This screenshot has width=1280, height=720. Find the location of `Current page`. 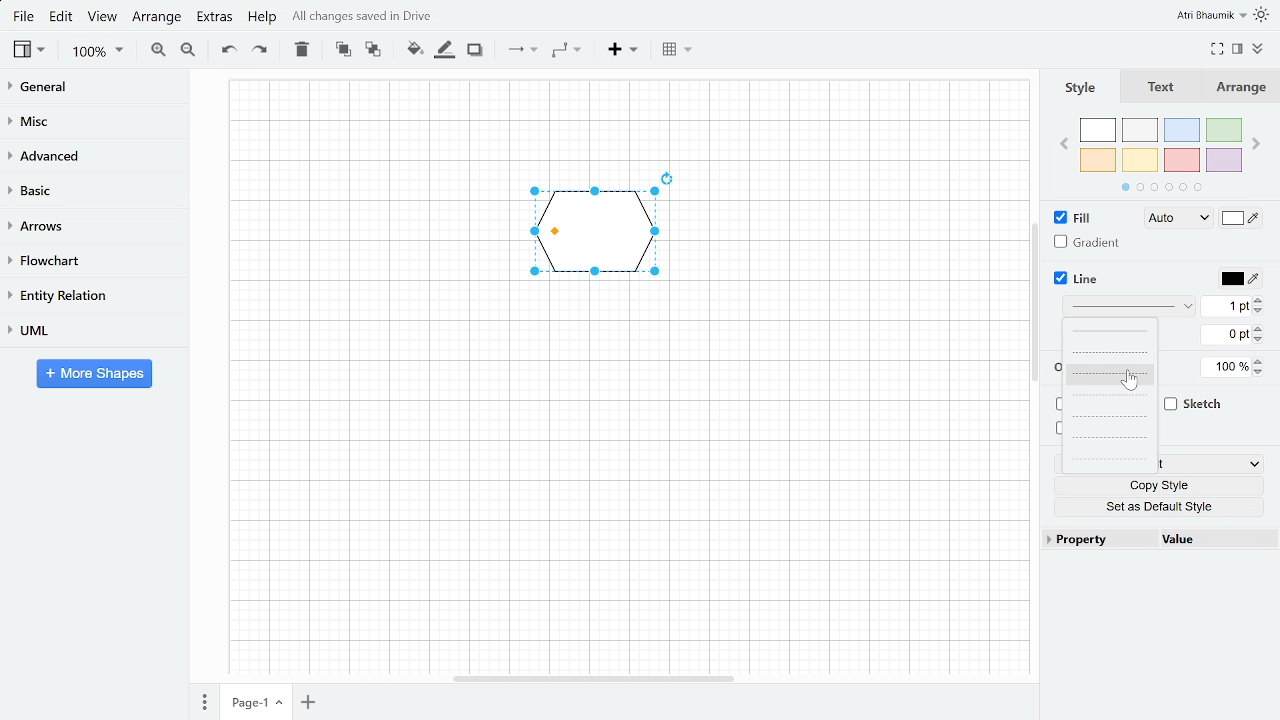

Current page is located at coordinates (255, 703).